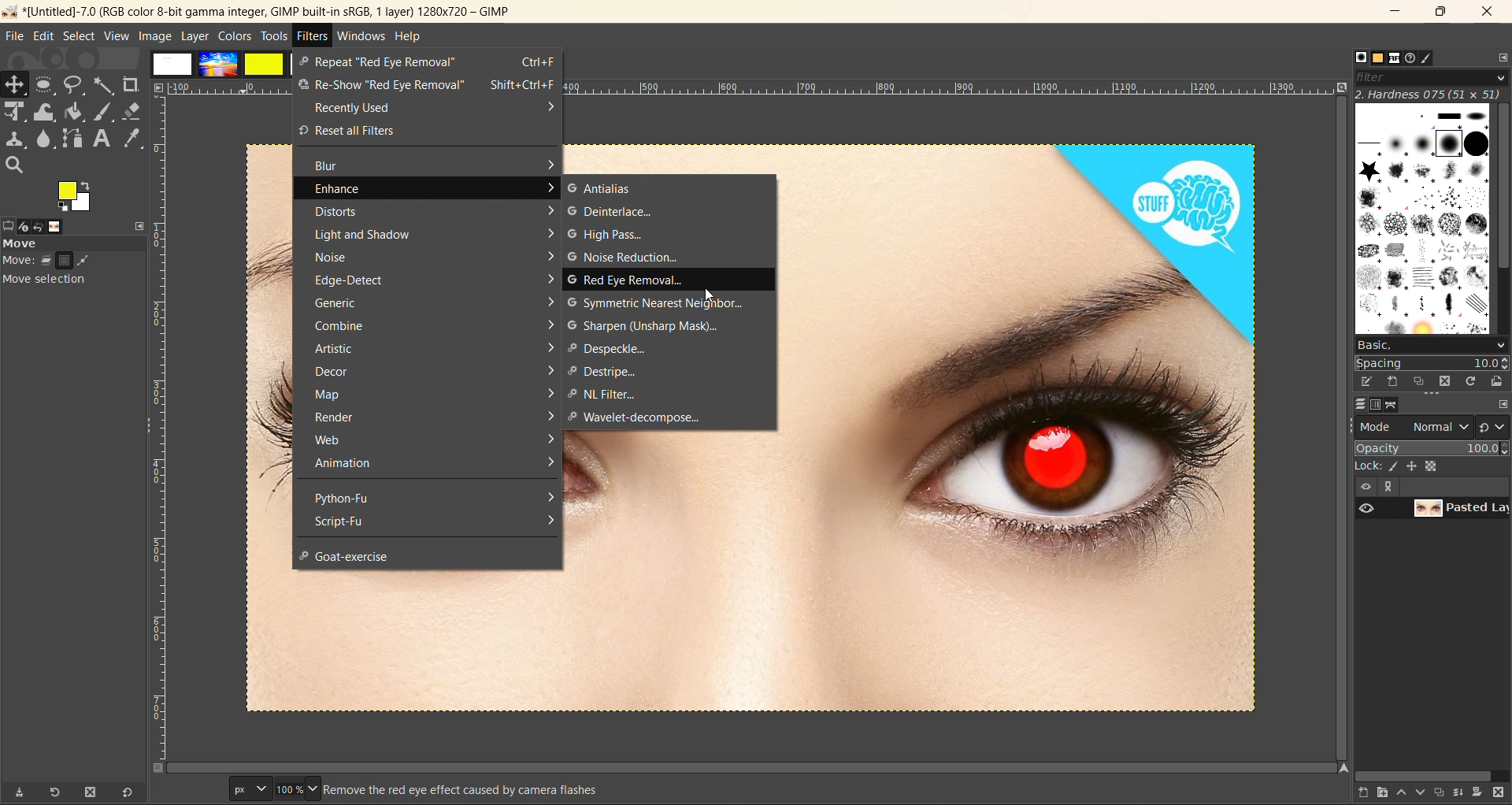 The image size is (1512, 805). I want to click on edge detect, so click(434, 280).